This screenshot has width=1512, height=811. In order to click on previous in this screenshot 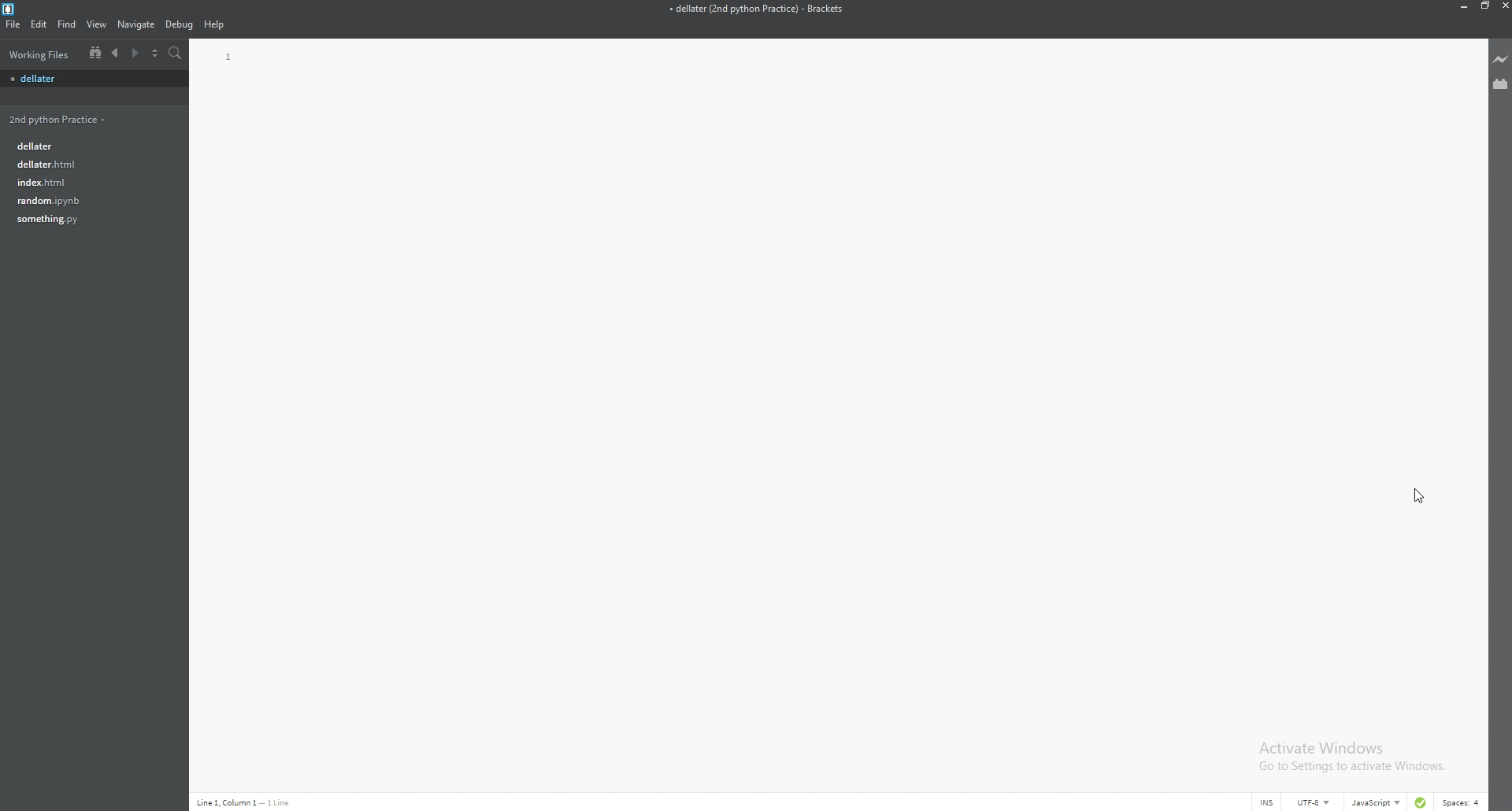, I will do `click(115, 53)`.